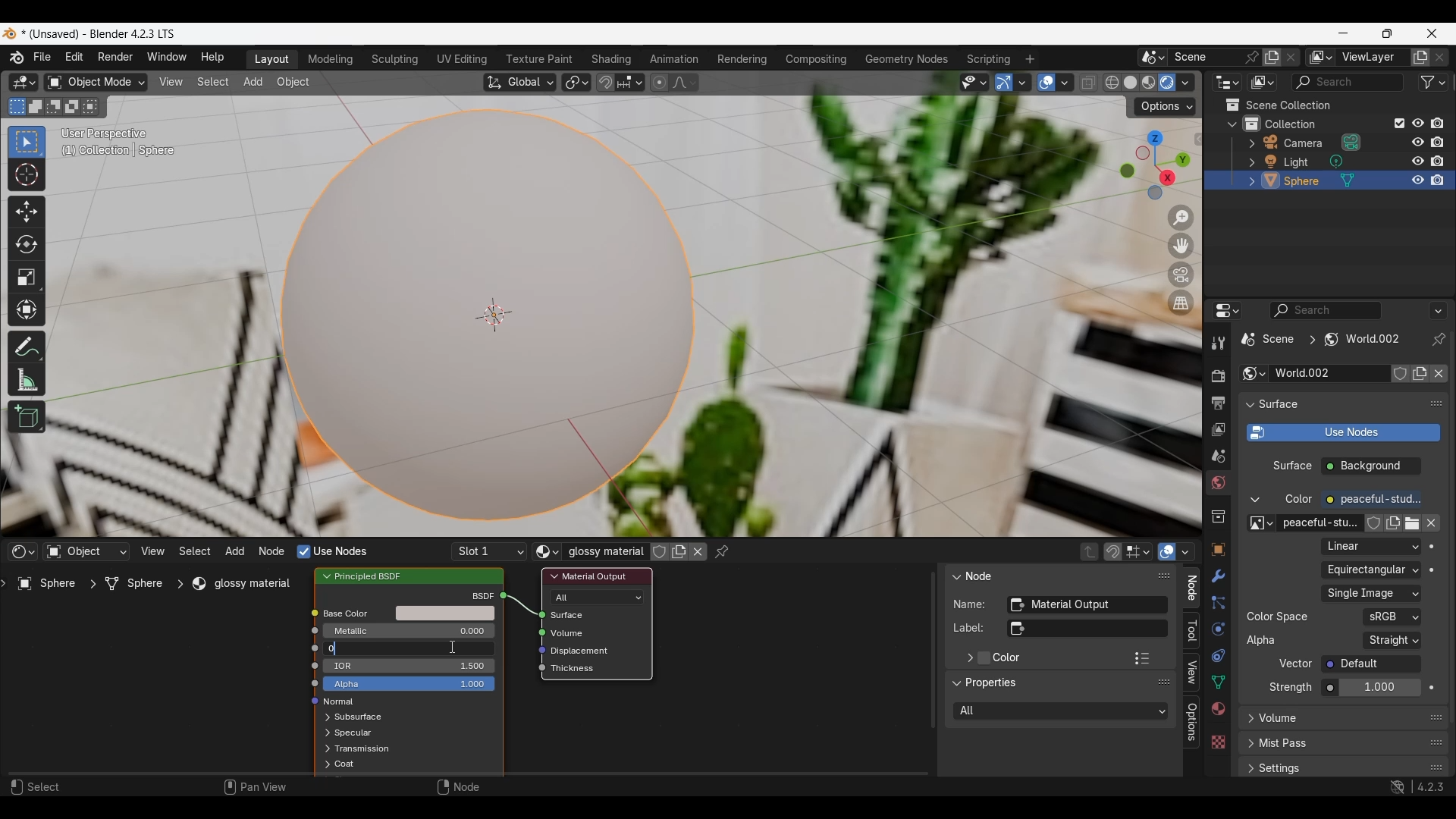 The width and height of the screenshot is (1456, 819). Describe the element at coordinates (1217, 457) in the screenshot. I see `Scene properties` at that location.